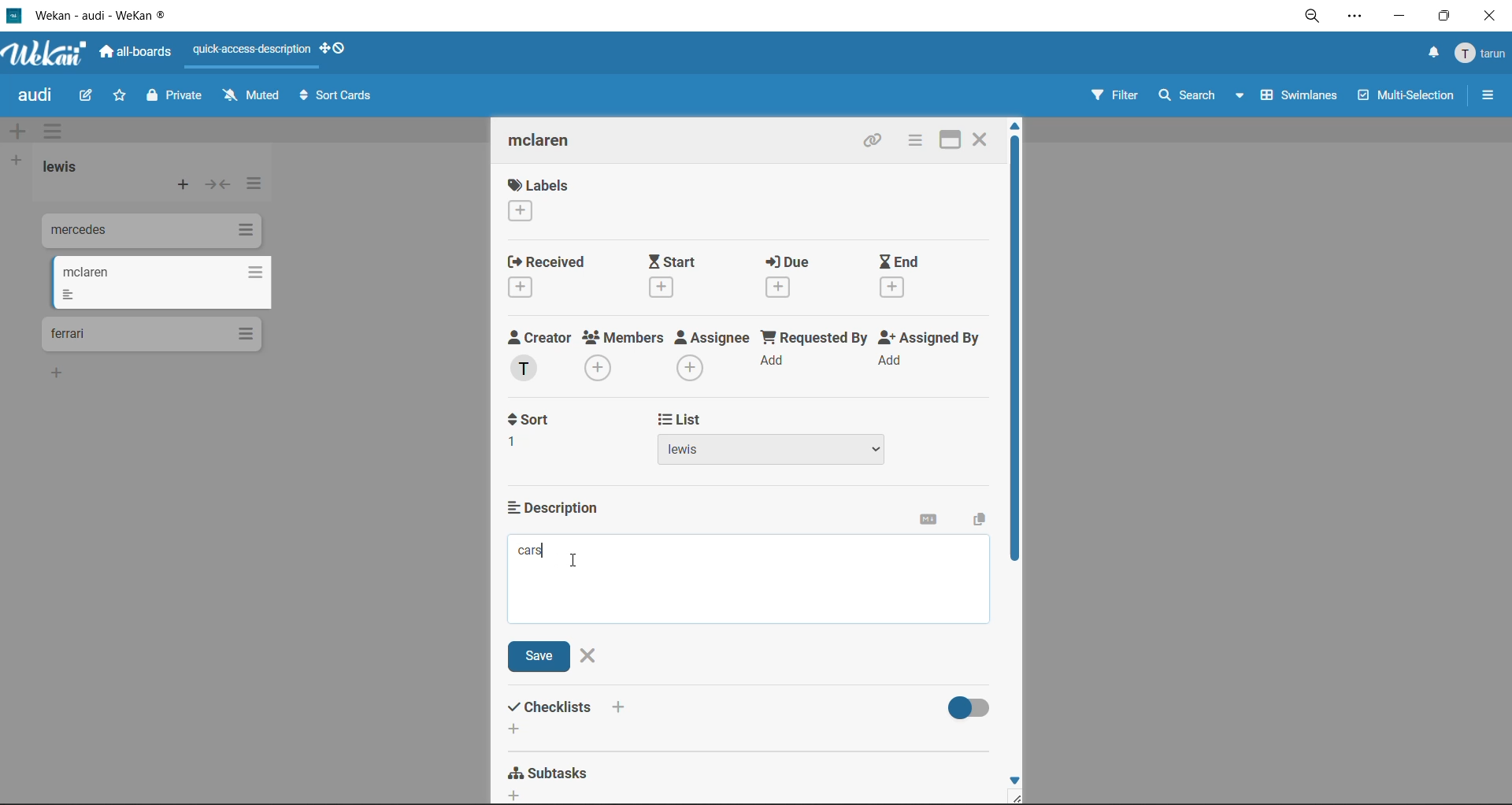  What do you see at coordinates (590, 655) in the screenshot?
I see `close` at bounding box center [590, 655].